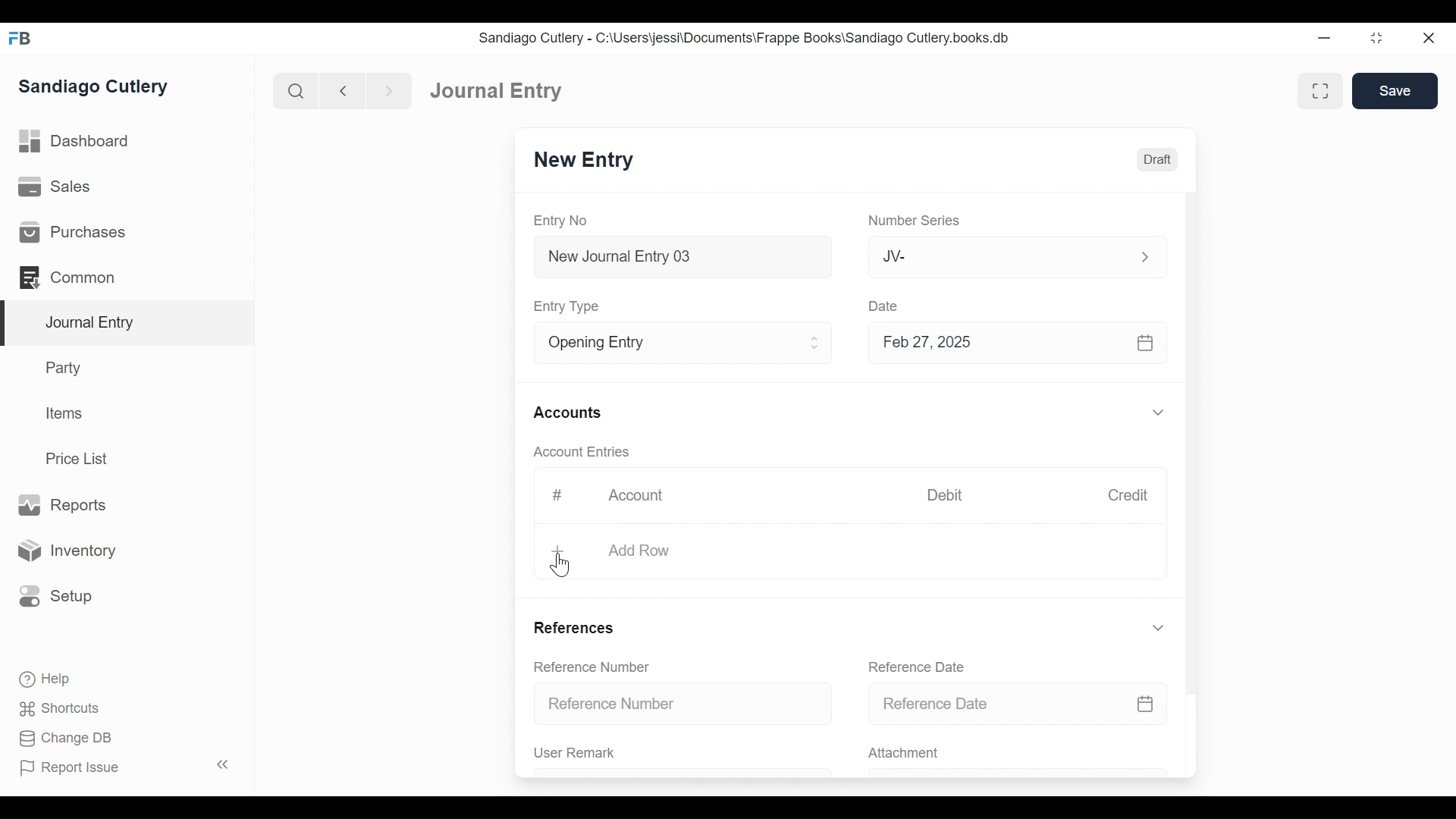  I want to click on Navigate back, so click(341, 91).